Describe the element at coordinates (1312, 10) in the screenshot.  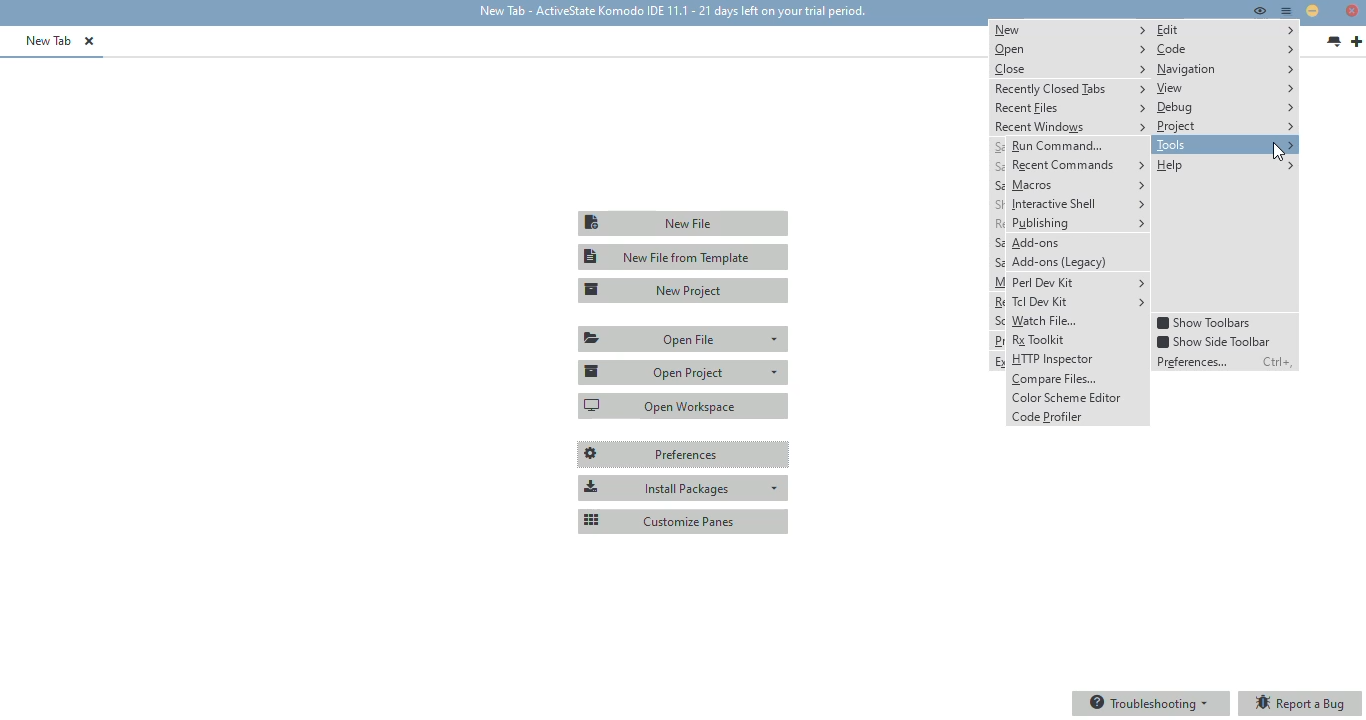
I see `minimize` at that location.